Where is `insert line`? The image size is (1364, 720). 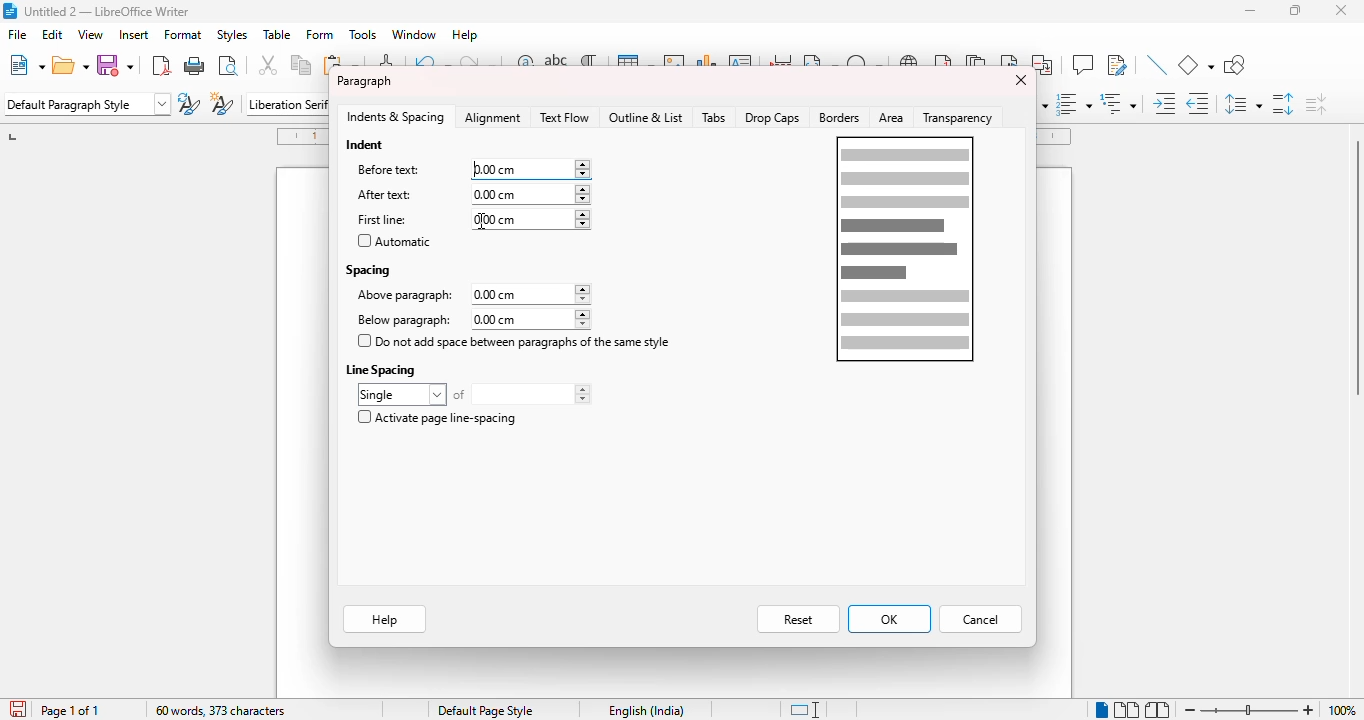 insert line is located at coordinates (1157, 65).